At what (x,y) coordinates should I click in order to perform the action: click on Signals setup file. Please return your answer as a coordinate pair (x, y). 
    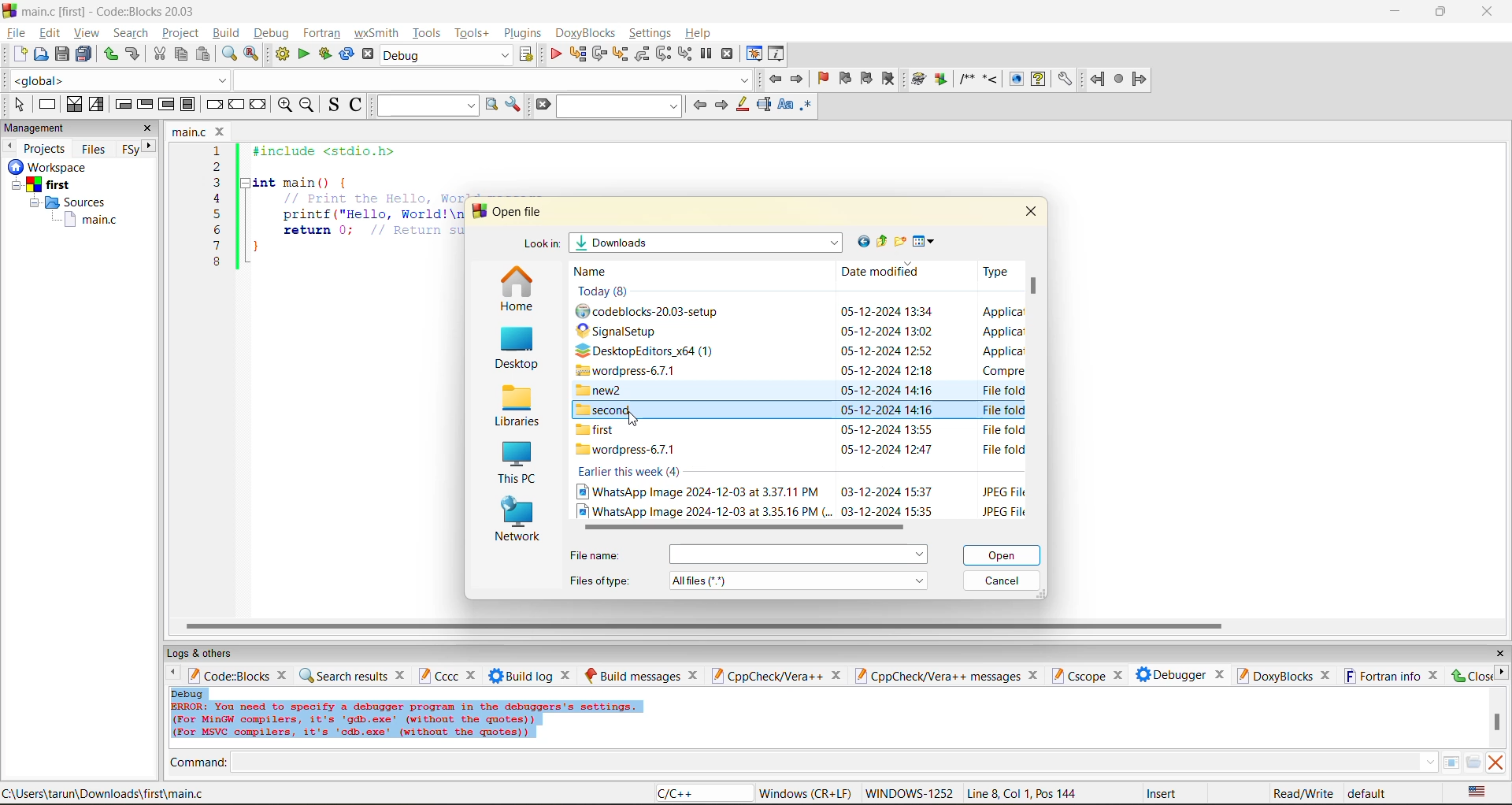
    Looking at the image, I should click on (625, 331).